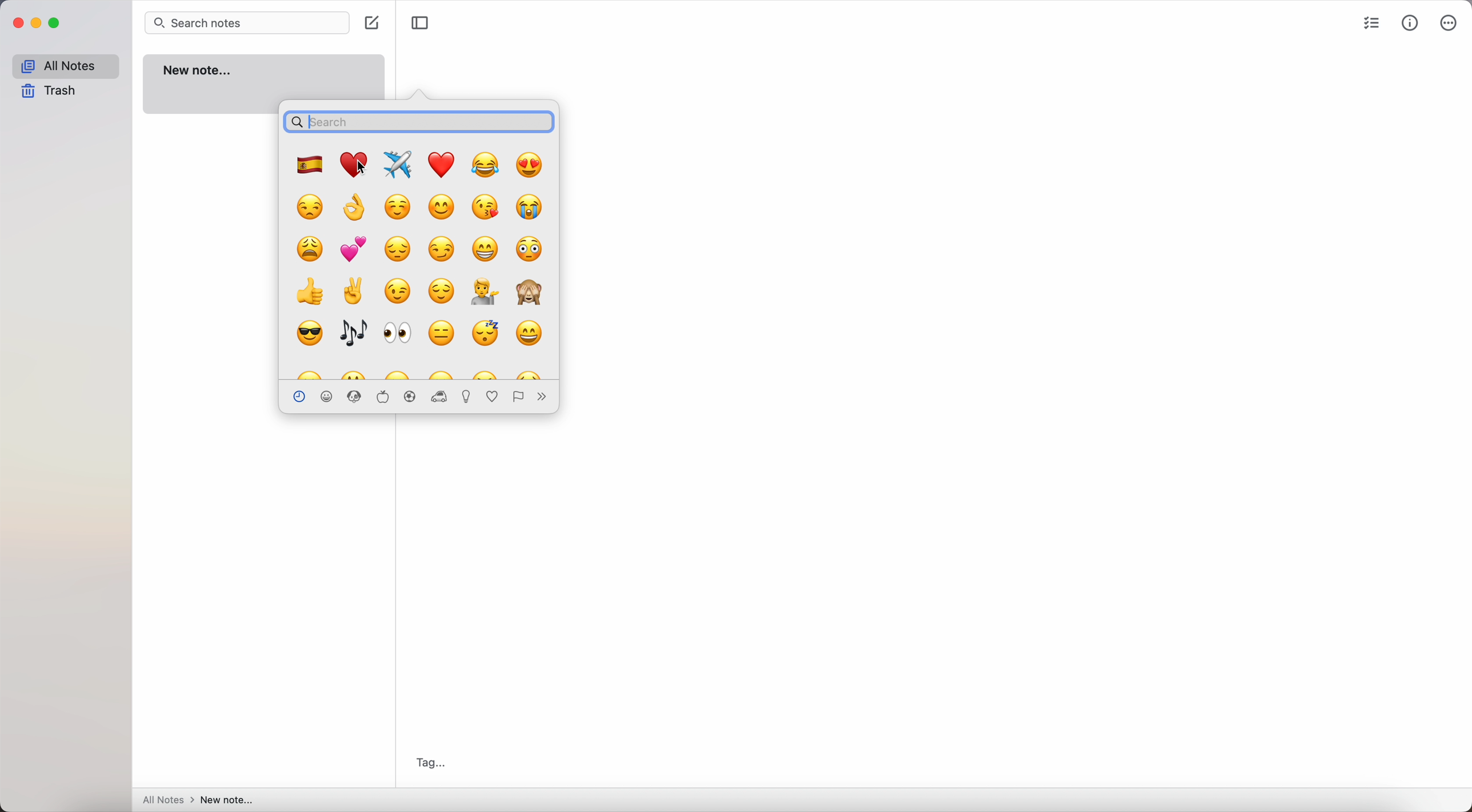  What do you see at coordinates (353, 333) in the screenshot?
I see `emoji` at bounding box center [353, 333].